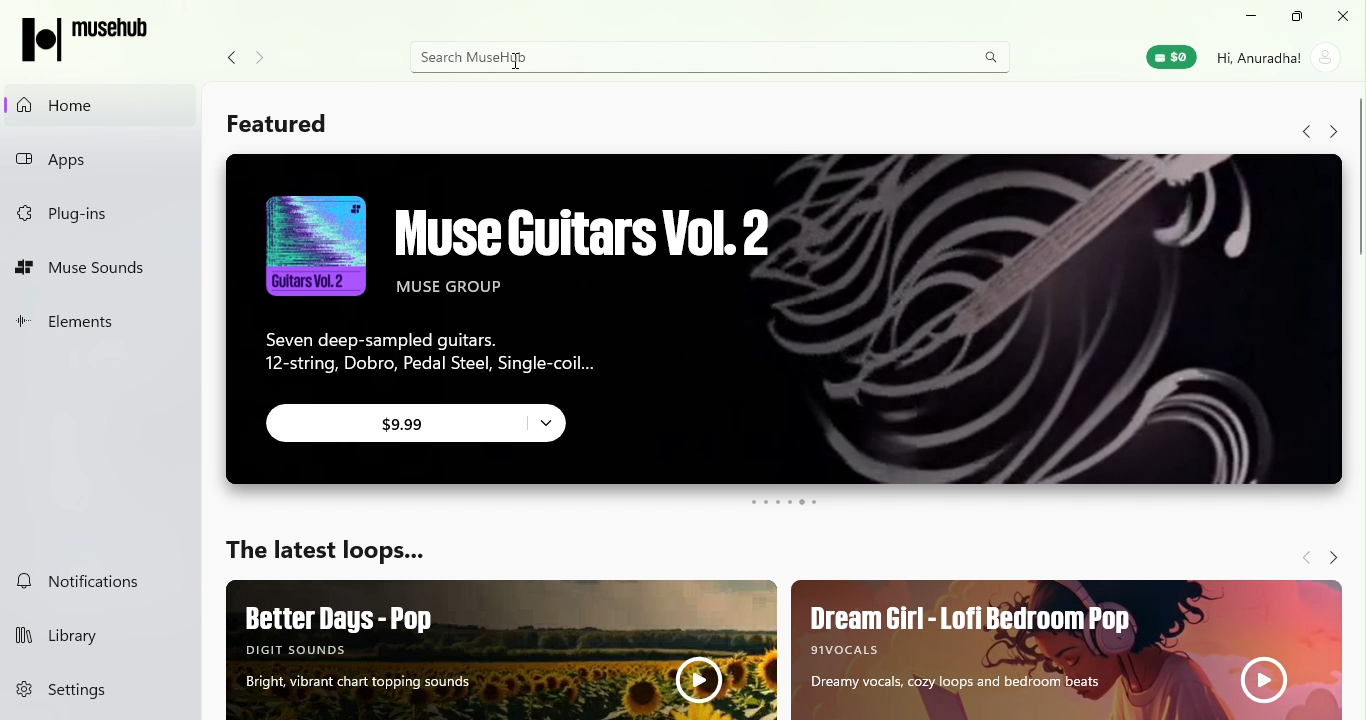 This screenshot has width=1366, height=720. I want to click on Notifications, so click(89, 579).